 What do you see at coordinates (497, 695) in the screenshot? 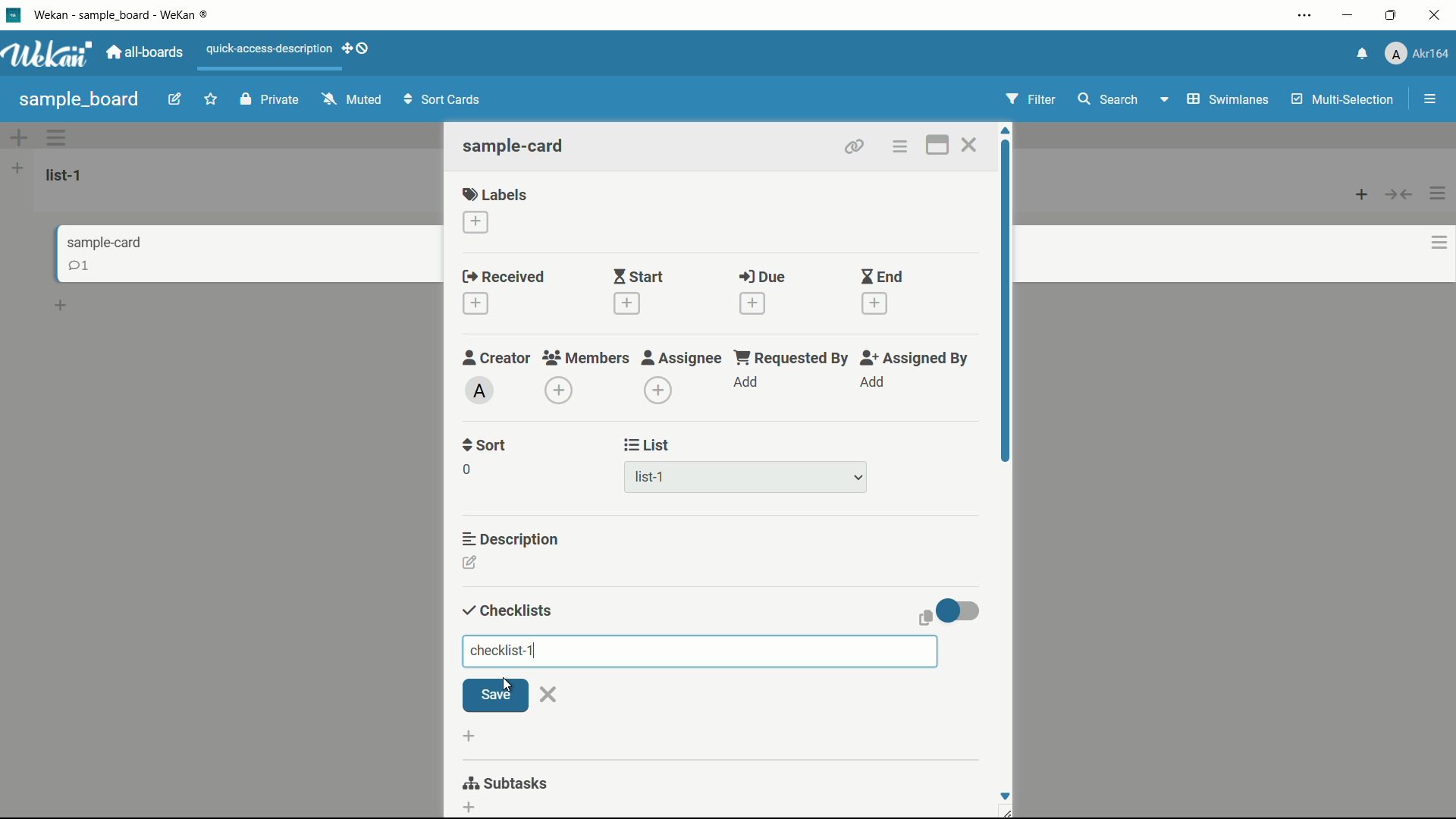
I see `save` at bounding box center [497, 695].